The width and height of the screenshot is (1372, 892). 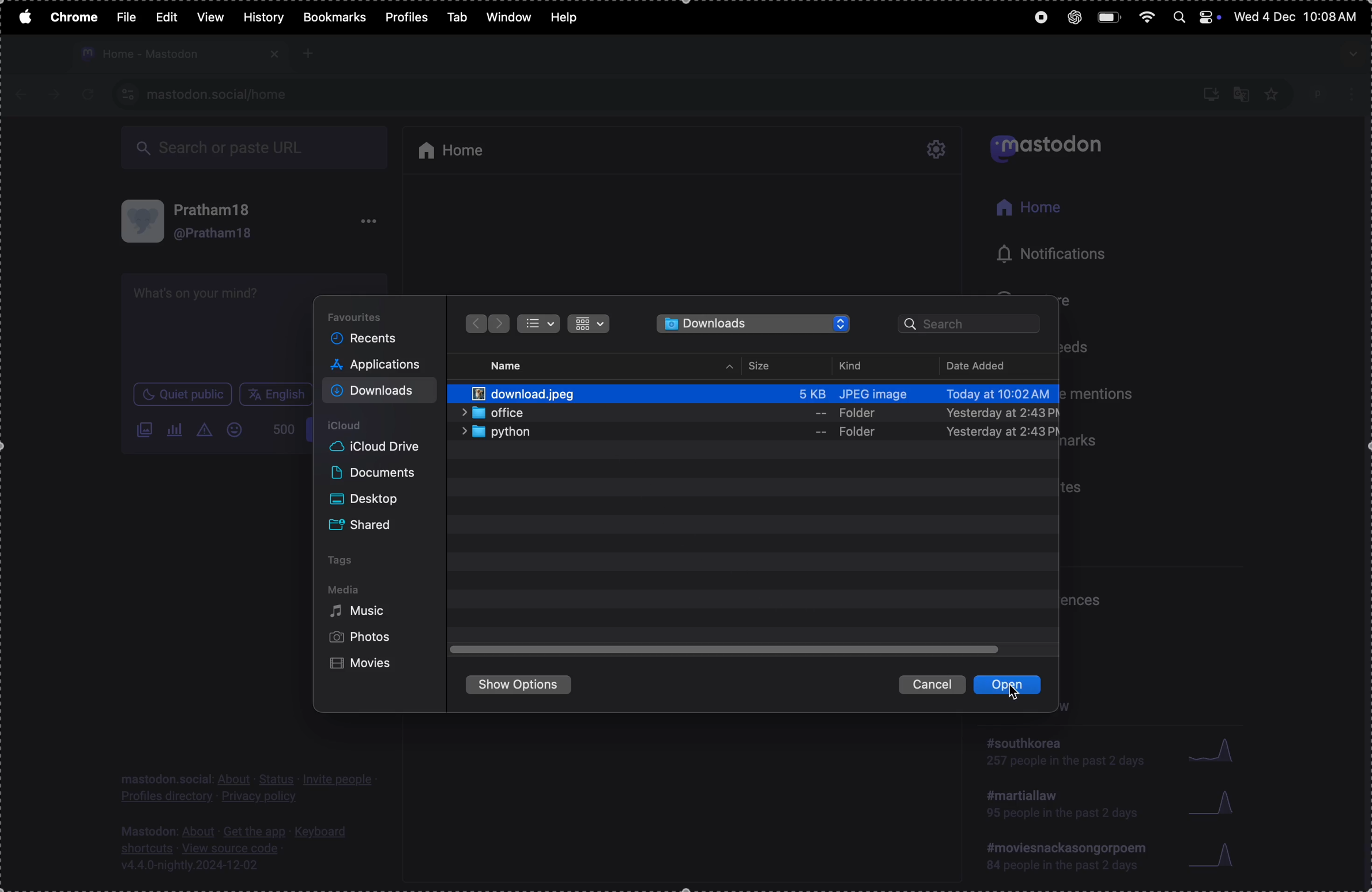 What do you see at coordinates (1209, 93) in the screenshot?
I see `install mastdom` at bounding box center [1209, 93].